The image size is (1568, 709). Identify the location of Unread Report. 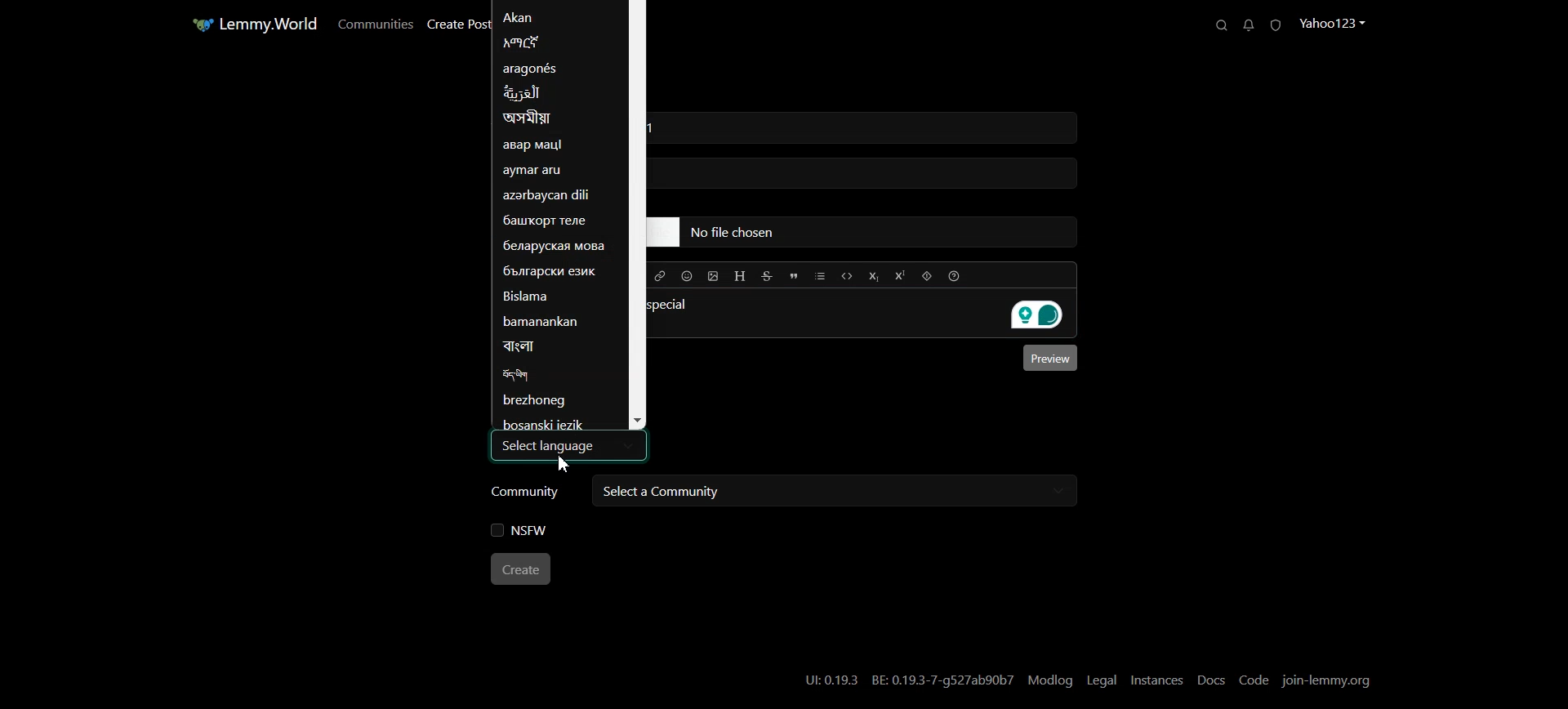
(1280, 25).